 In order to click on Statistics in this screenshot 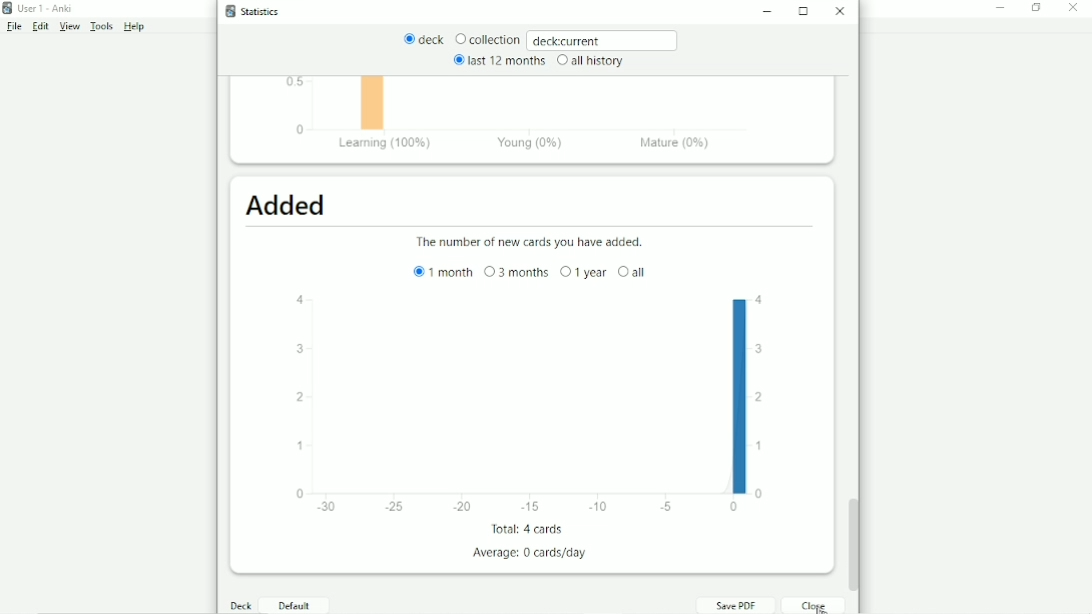, I will do `click(257, 11)`.